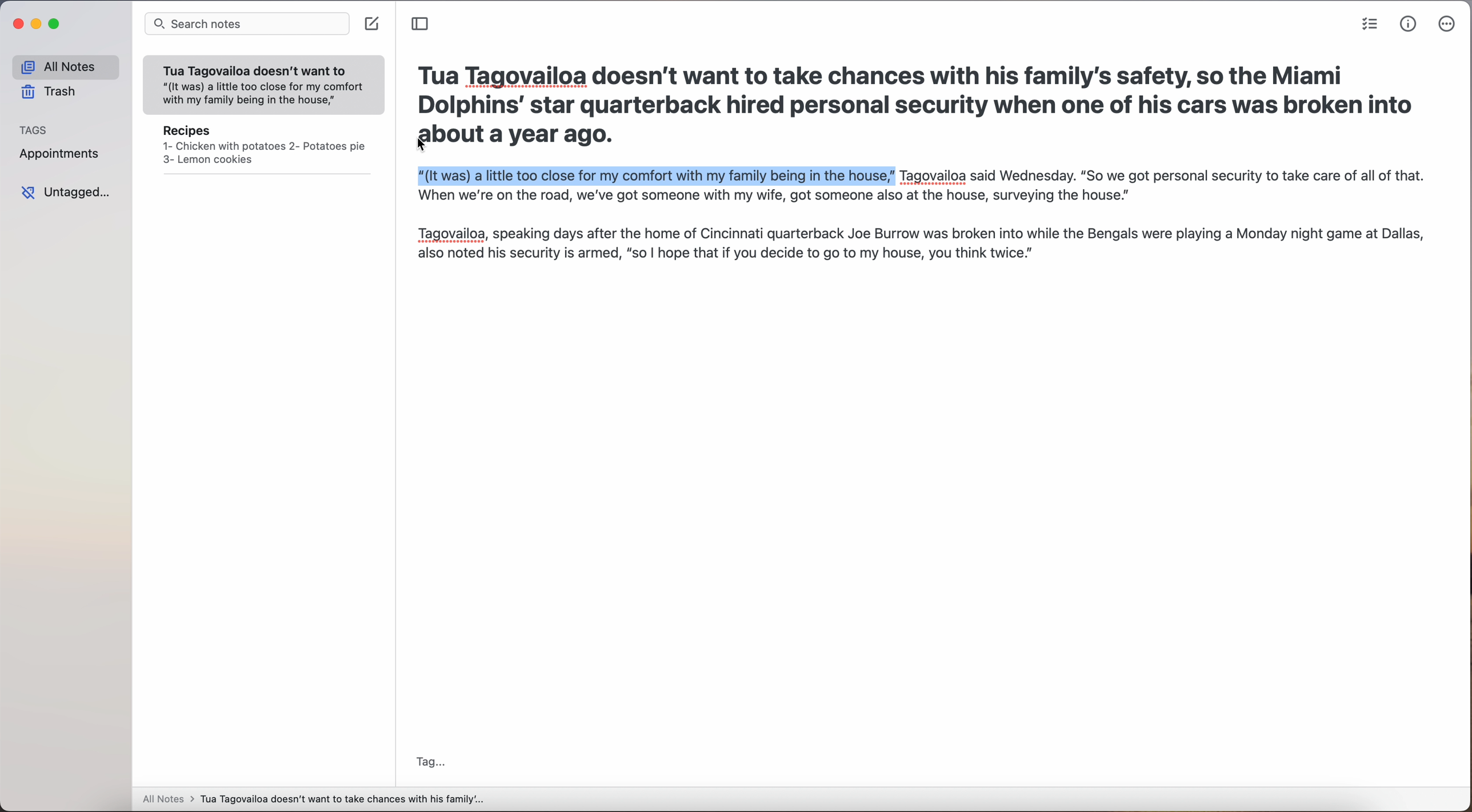 The height and width of the screenshot is (812, 1472). I want to click on about a year ago, so click(513, 139).